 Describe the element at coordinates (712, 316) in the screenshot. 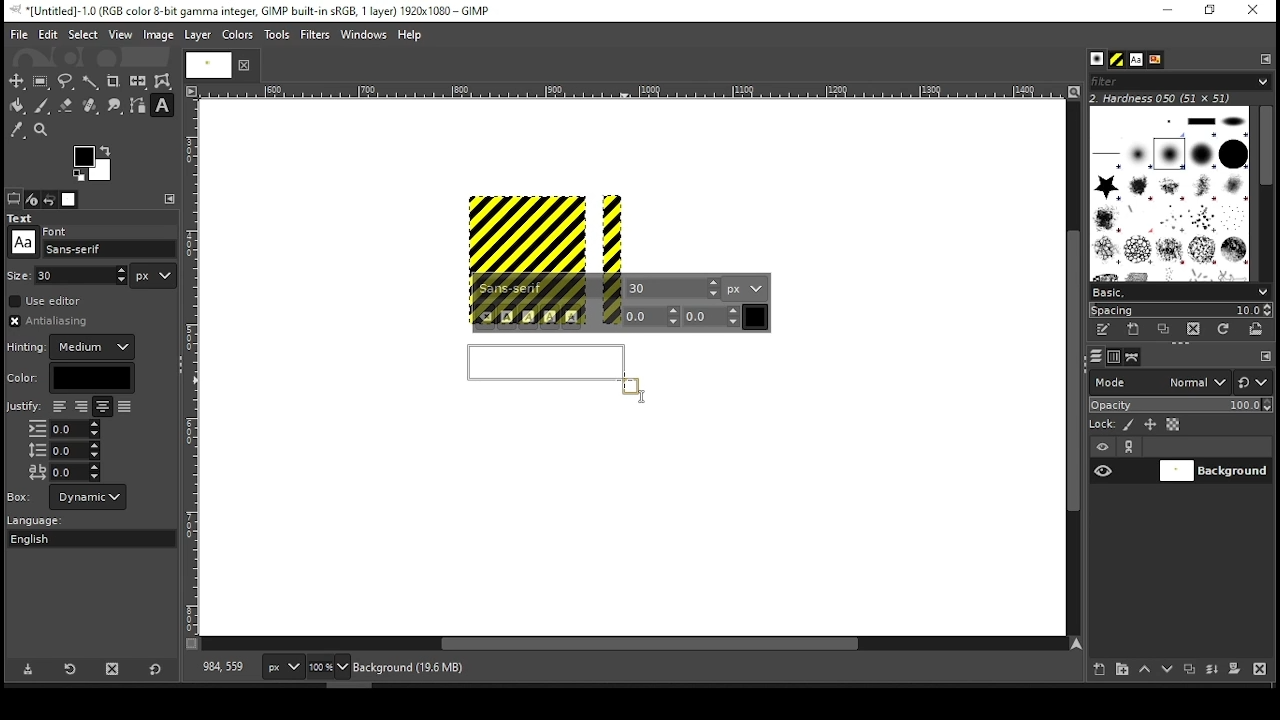

I see `change kerning of selected text` at that location.